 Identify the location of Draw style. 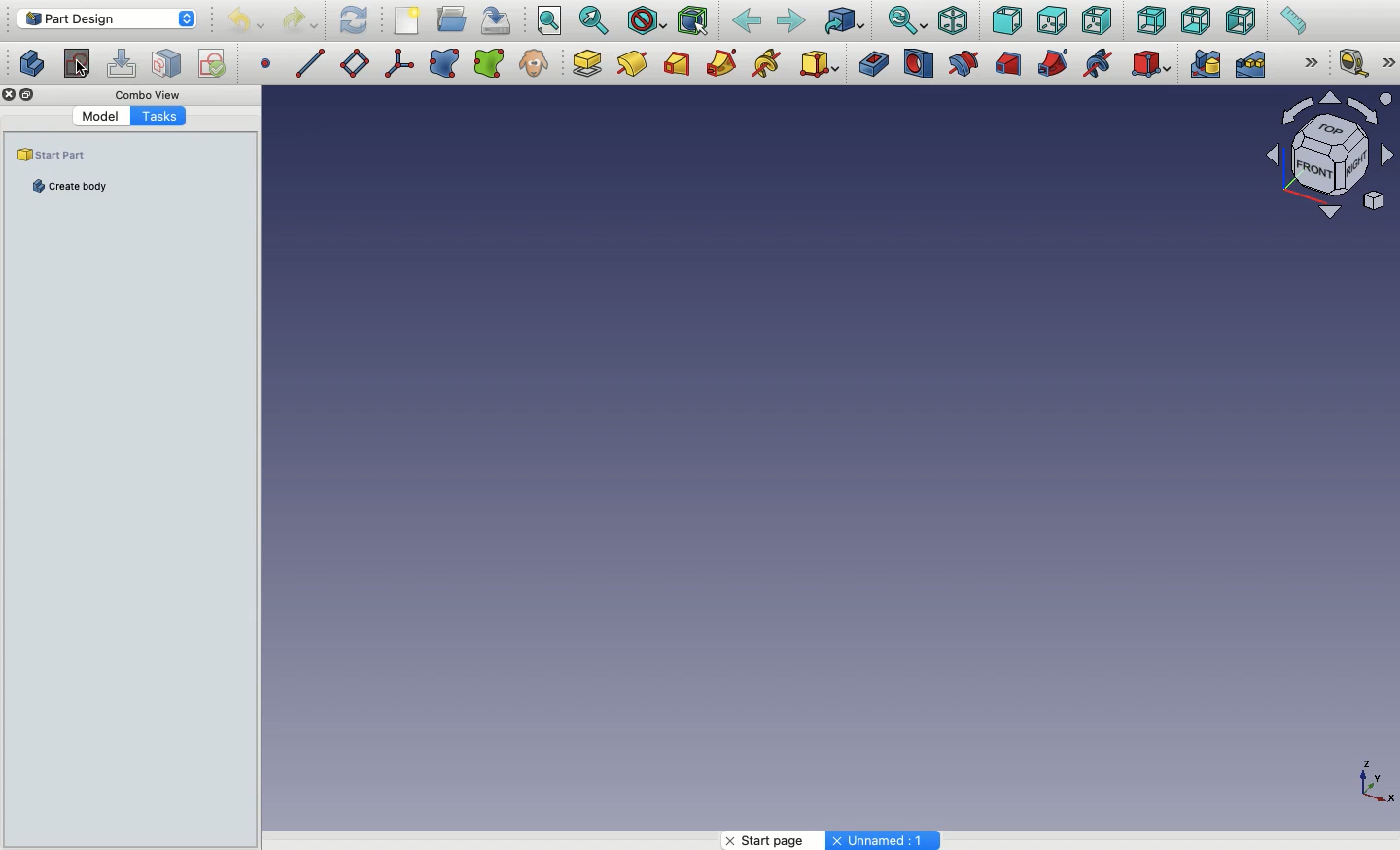
(646, 21).